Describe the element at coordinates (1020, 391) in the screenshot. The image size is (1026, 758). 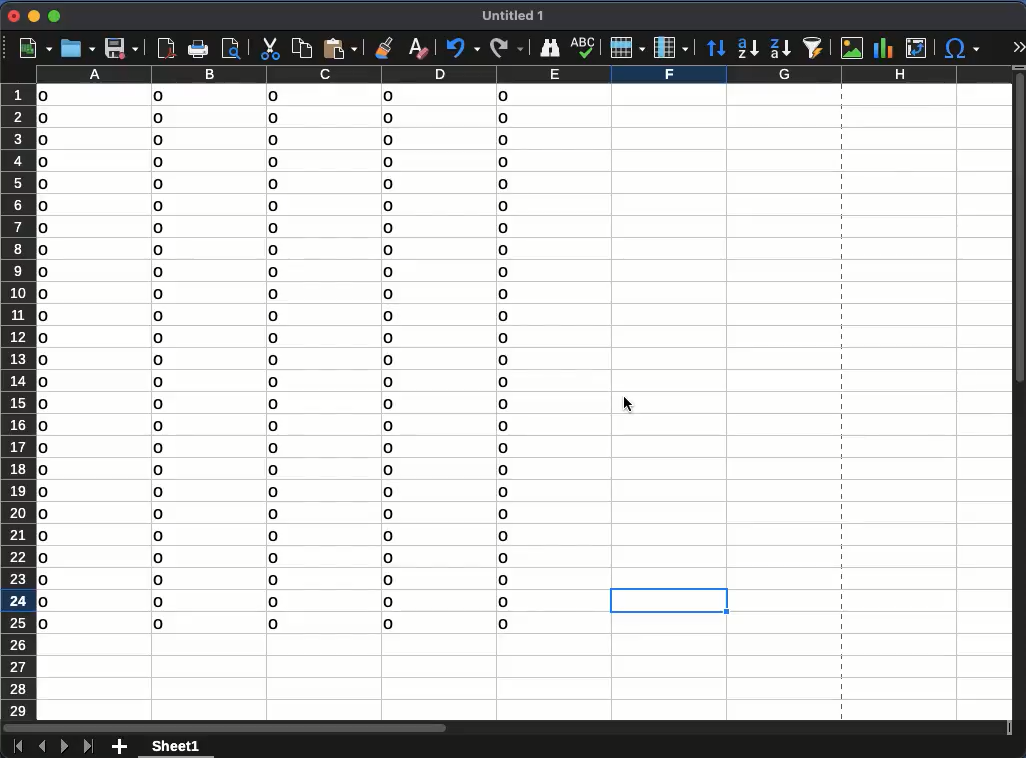
I see `scroll` at that location.